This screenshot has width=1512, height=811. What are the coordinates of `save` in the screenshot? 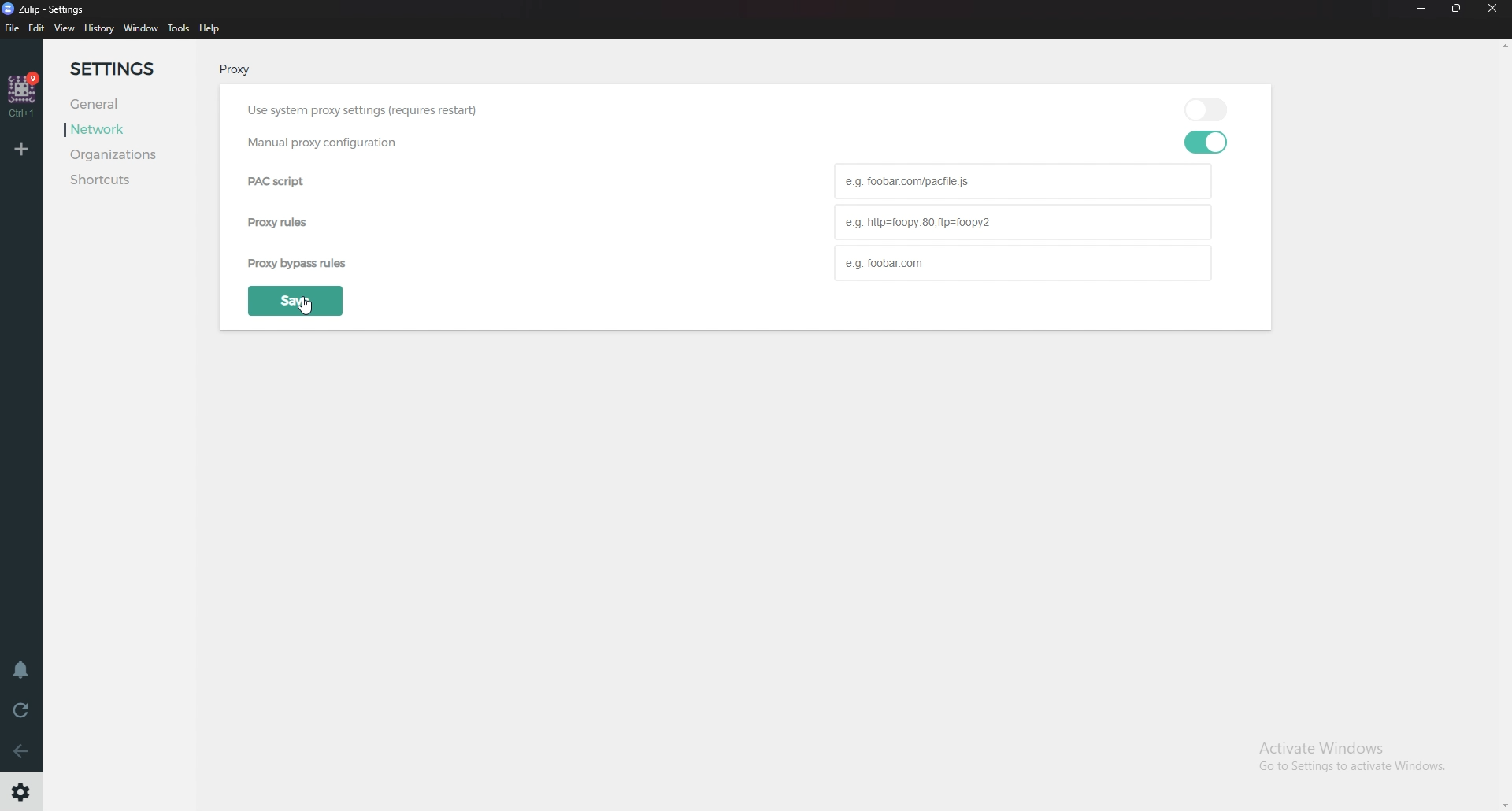 It's located at (294, 301).